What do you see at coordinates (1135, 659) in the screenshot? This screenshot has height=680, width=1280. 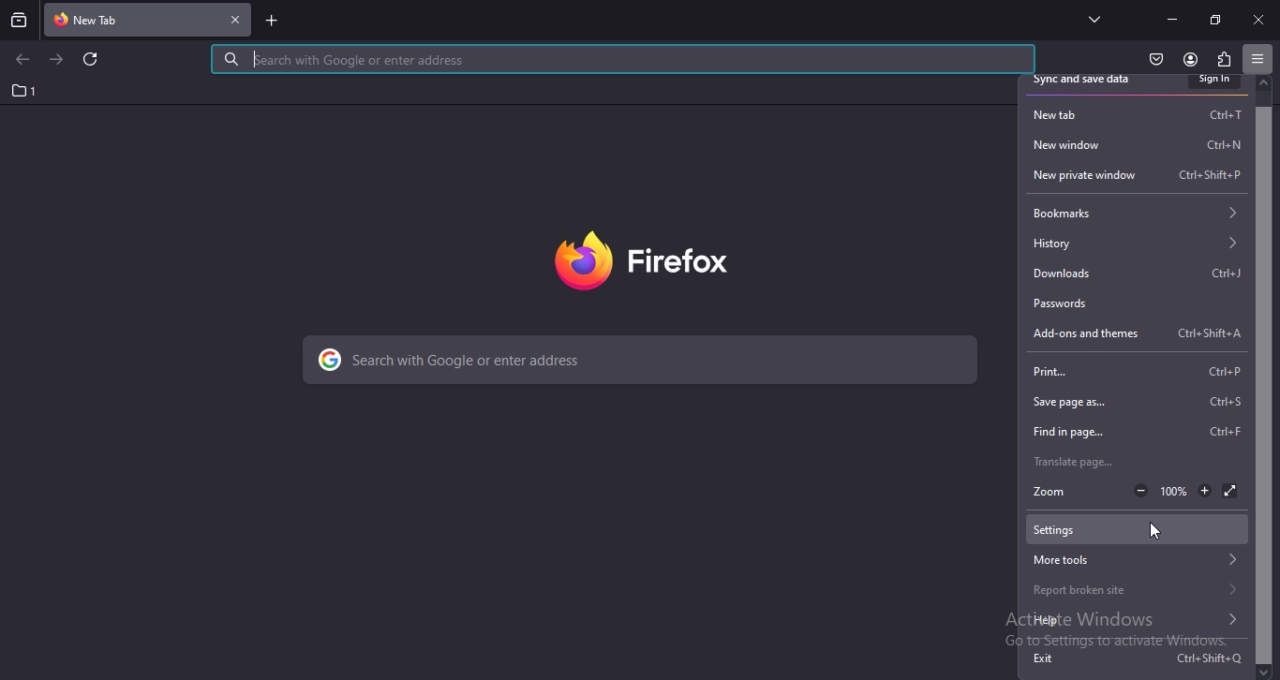 I see `exit` at bounding box center [1135, 659].